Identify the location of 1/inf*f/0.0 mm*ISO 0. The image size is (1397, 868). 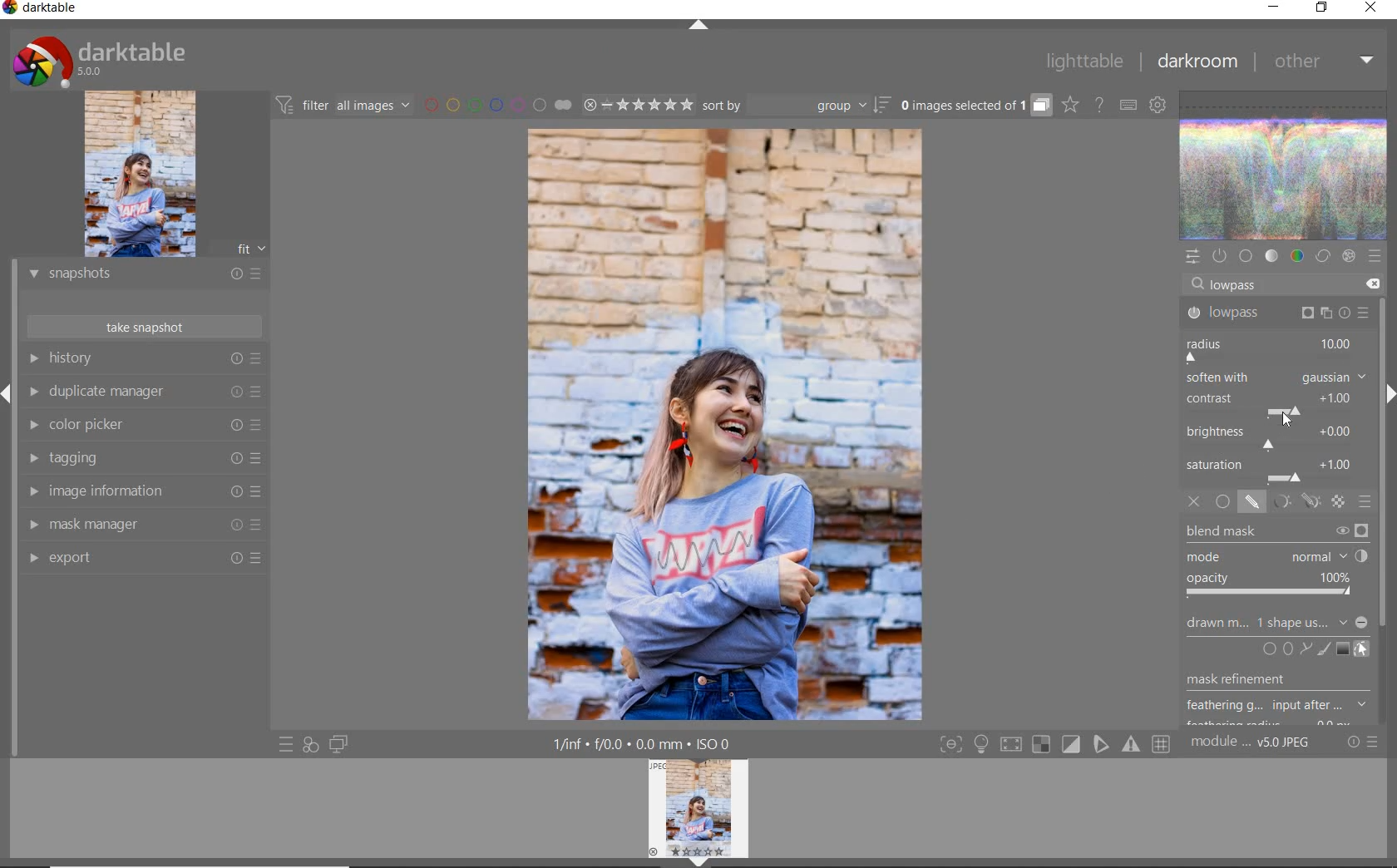
(646, 744).